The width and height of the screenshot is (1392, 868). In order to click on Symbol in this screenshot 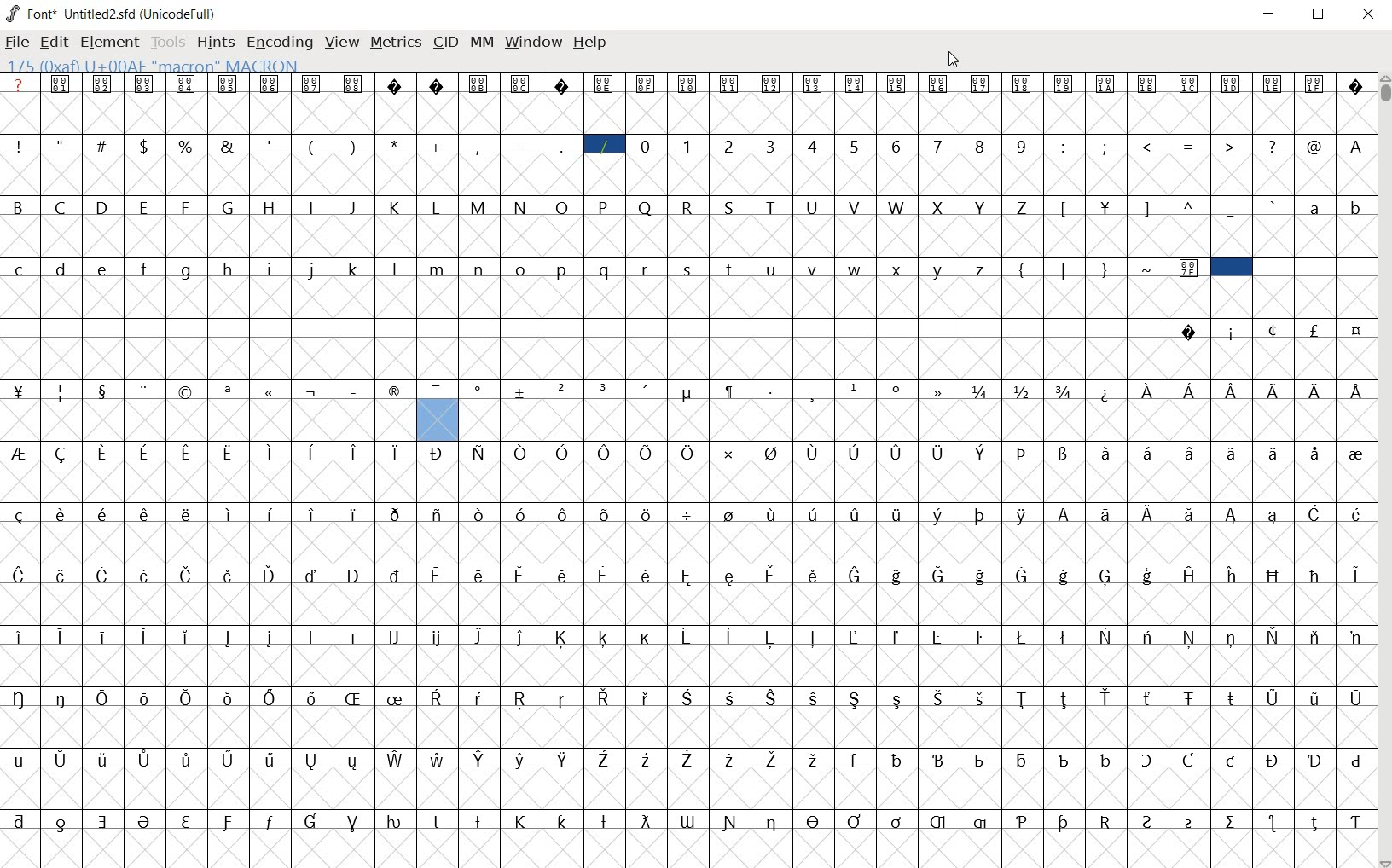, I will do `click(1147, 451)`.